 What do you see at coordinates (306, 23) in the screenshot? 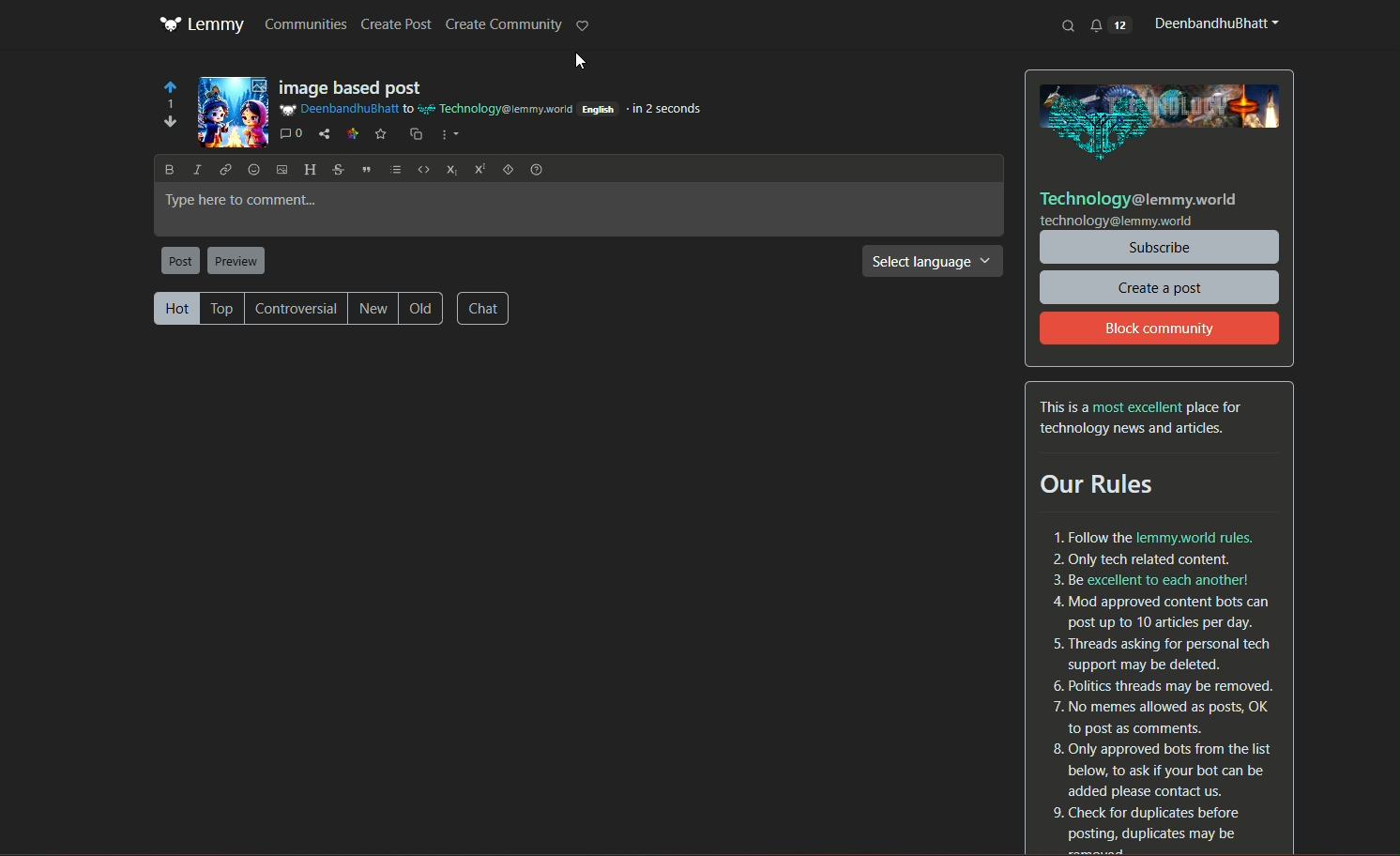
I see `Communities` at bounding box center [306, 23].